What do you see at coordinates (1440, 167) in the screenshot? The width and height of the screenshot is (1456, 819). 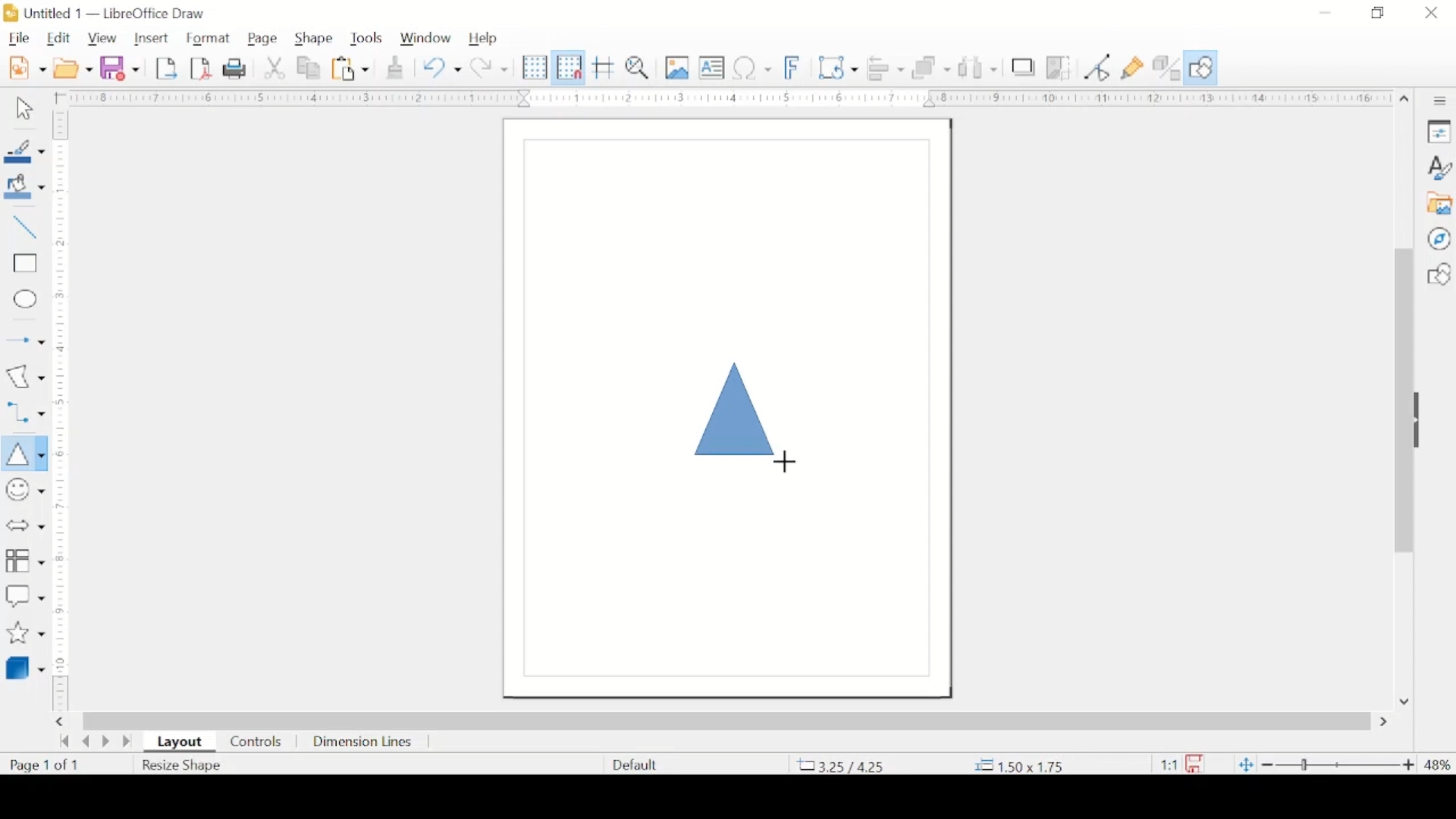 I see `styles` at bounding box center [1440, 167].